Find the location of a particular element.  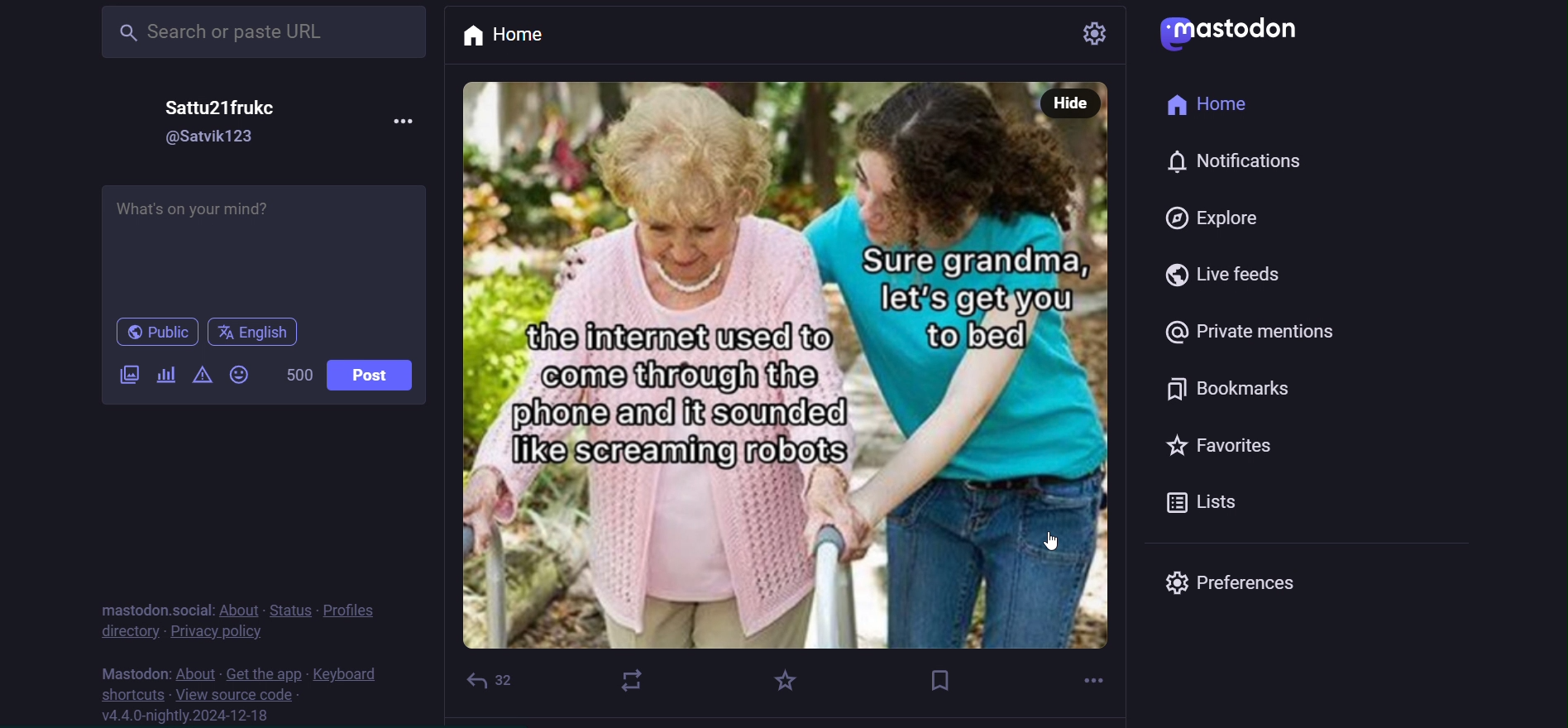

bookmark is located at coordinates (944, 679).